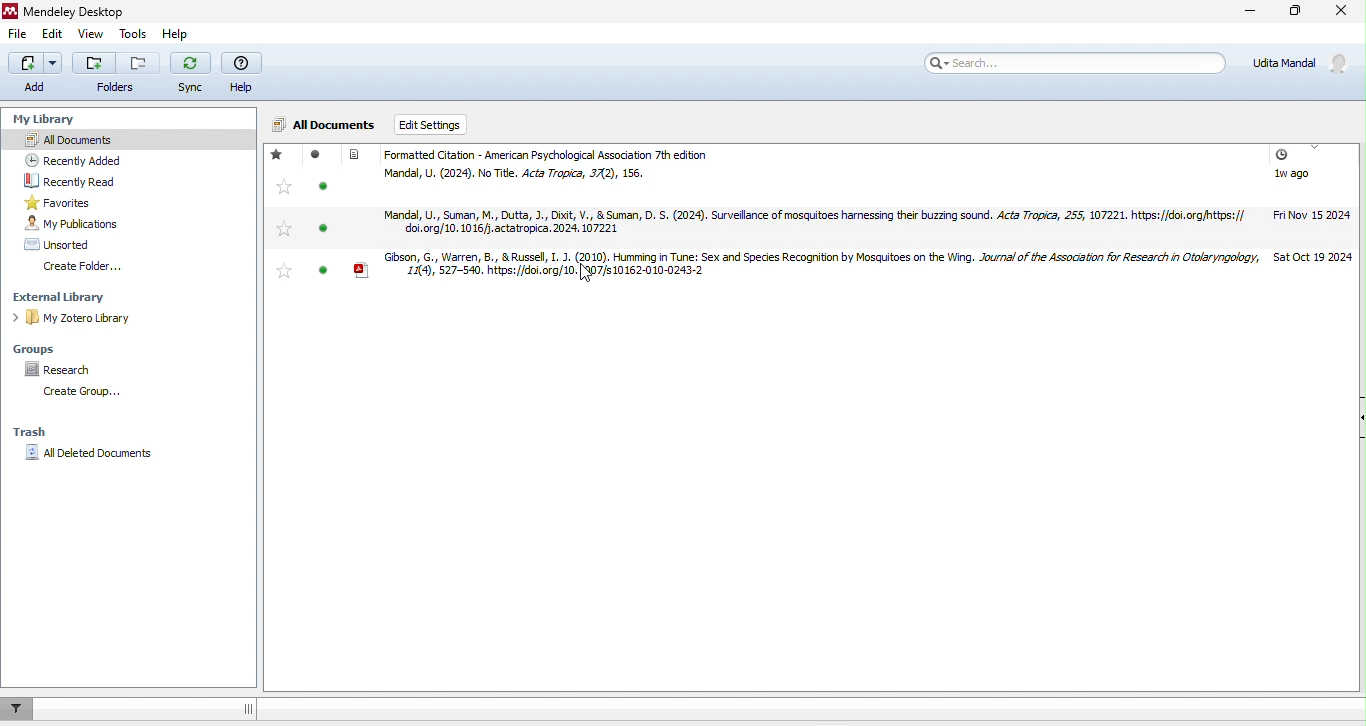  Describe the element at coordinates (117, 73) in the screenshot. I see `folder` at that location.